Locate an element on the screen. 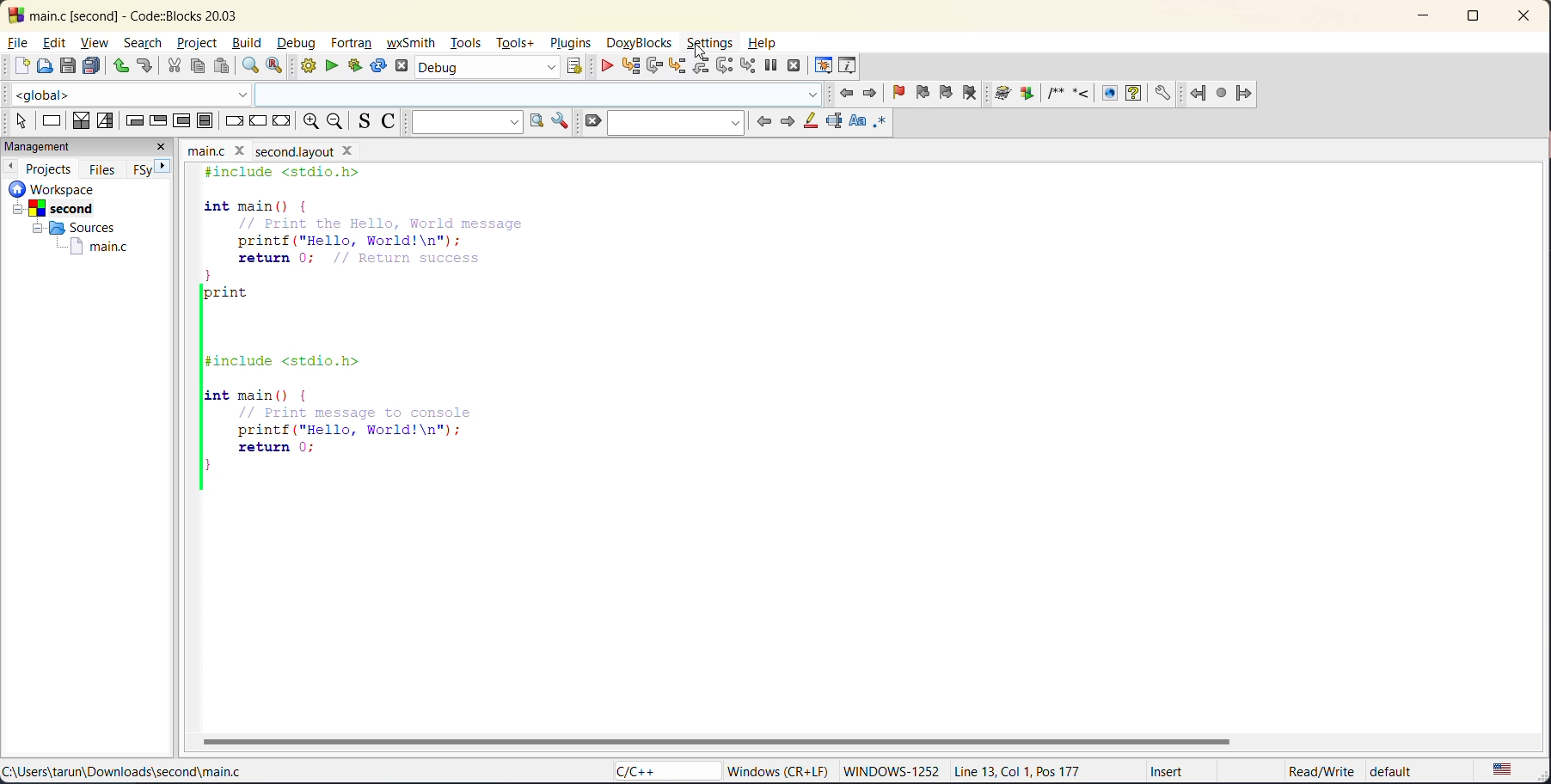  metadata is located at coordinates (781, 770).